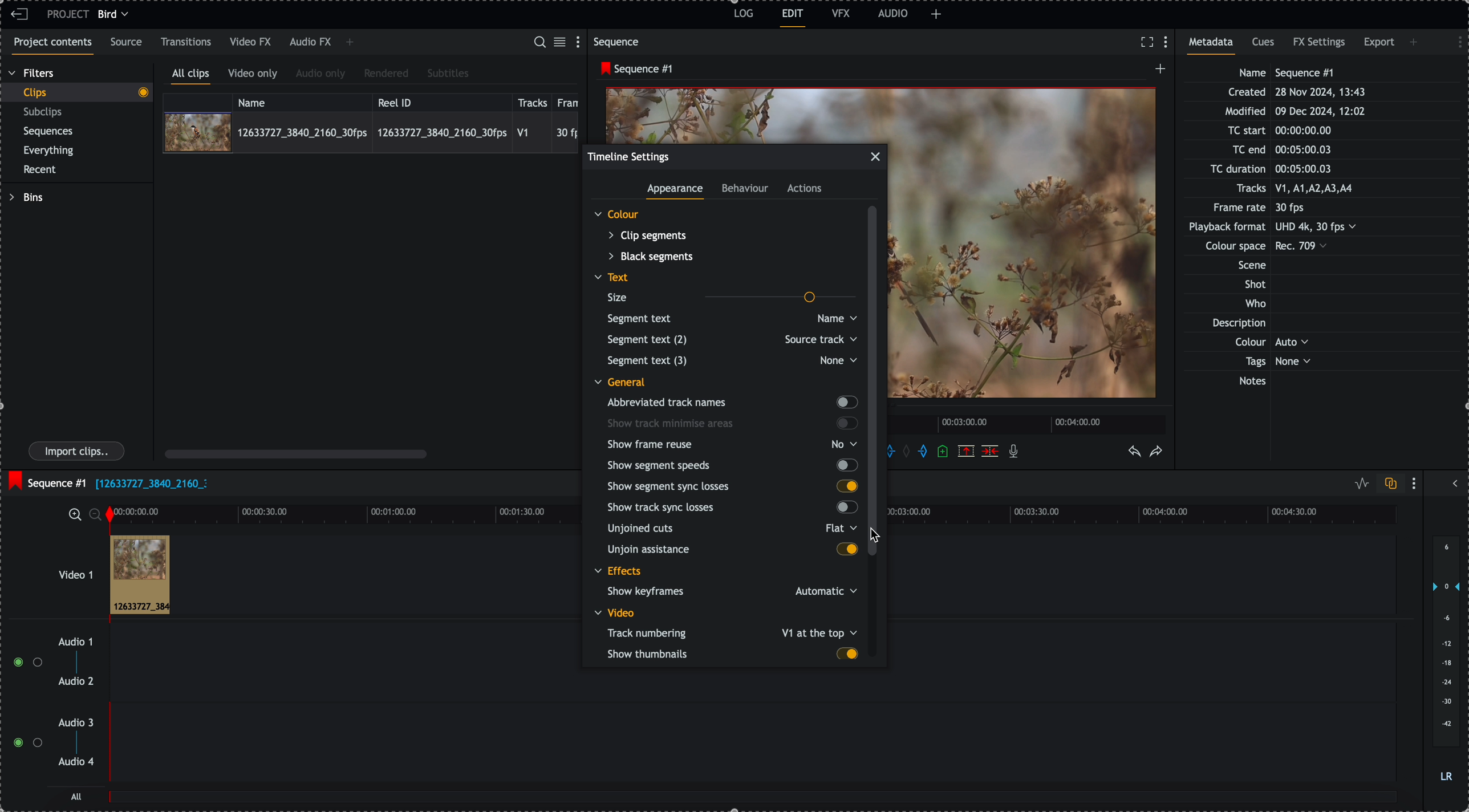  I want to click on segment text, so click(729, 318).